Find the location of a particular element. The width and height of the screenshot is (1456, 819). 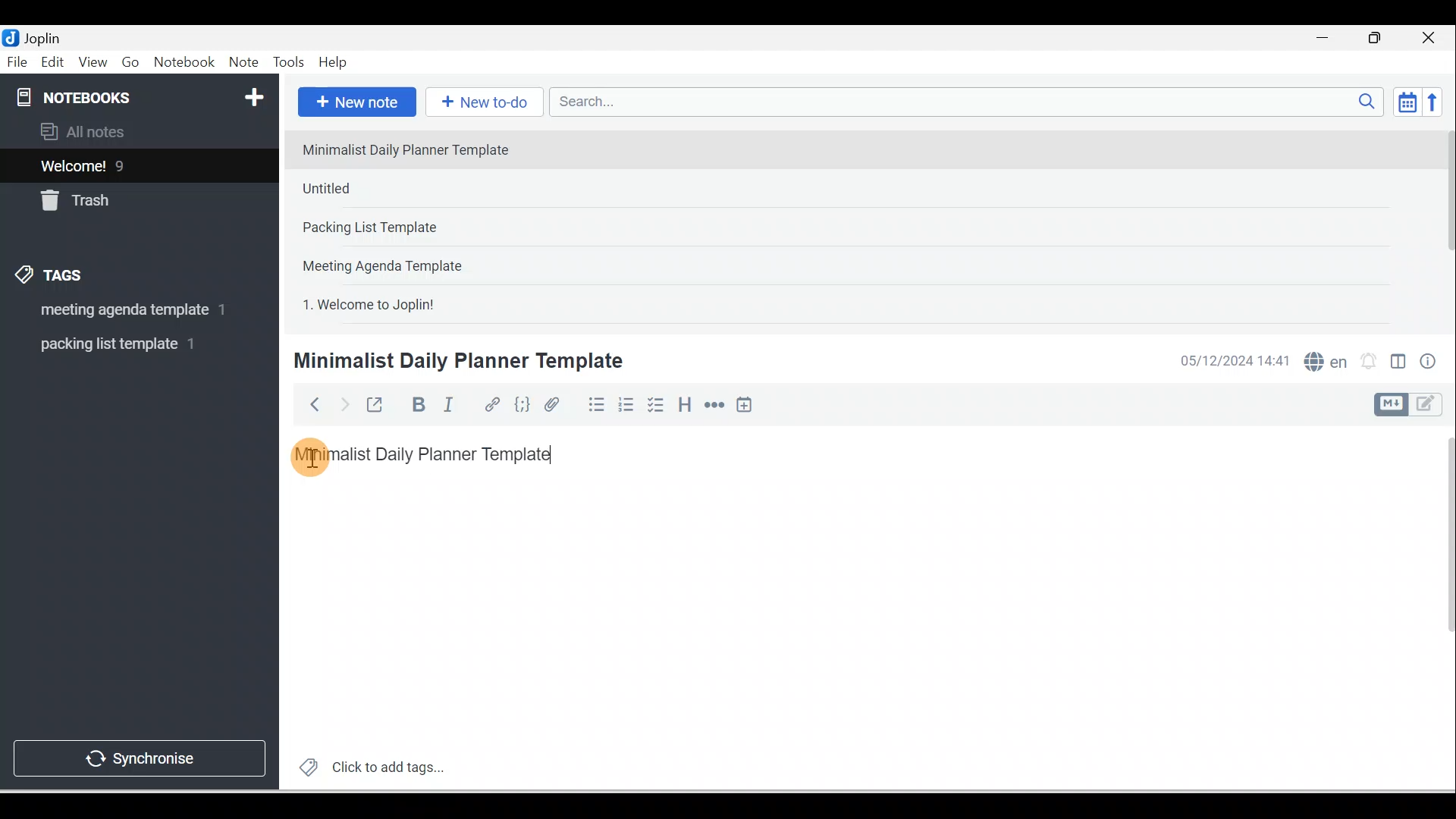

Minimalist Daily Planner Template is located at coordinates (440, 456).